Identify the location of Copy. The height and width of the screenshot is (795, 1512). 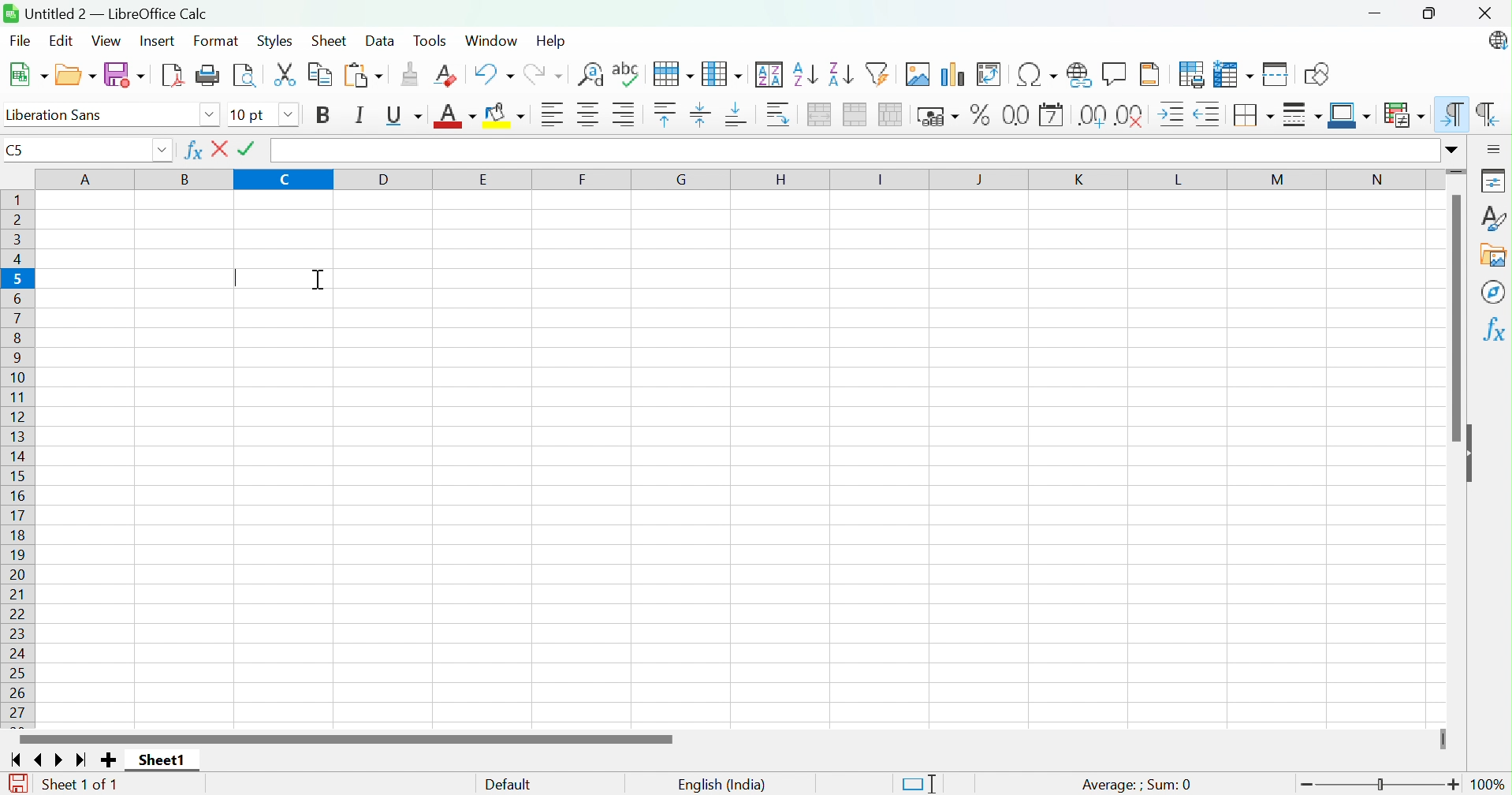
(321, 73).